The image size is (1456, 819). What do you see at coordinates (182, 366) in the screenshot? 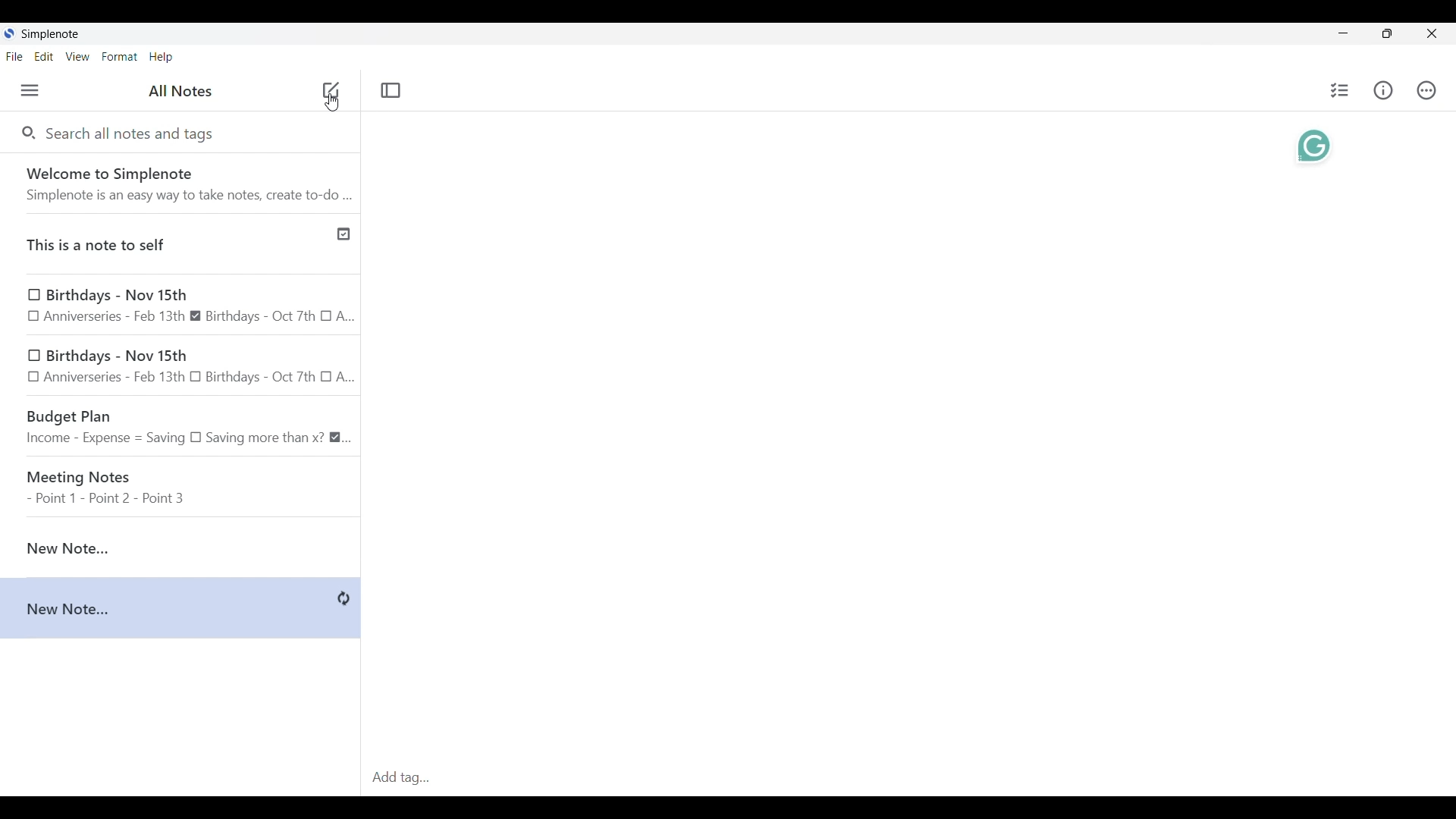
I see `Birthdays - Nov 15th` at bounding box center [182, 366].